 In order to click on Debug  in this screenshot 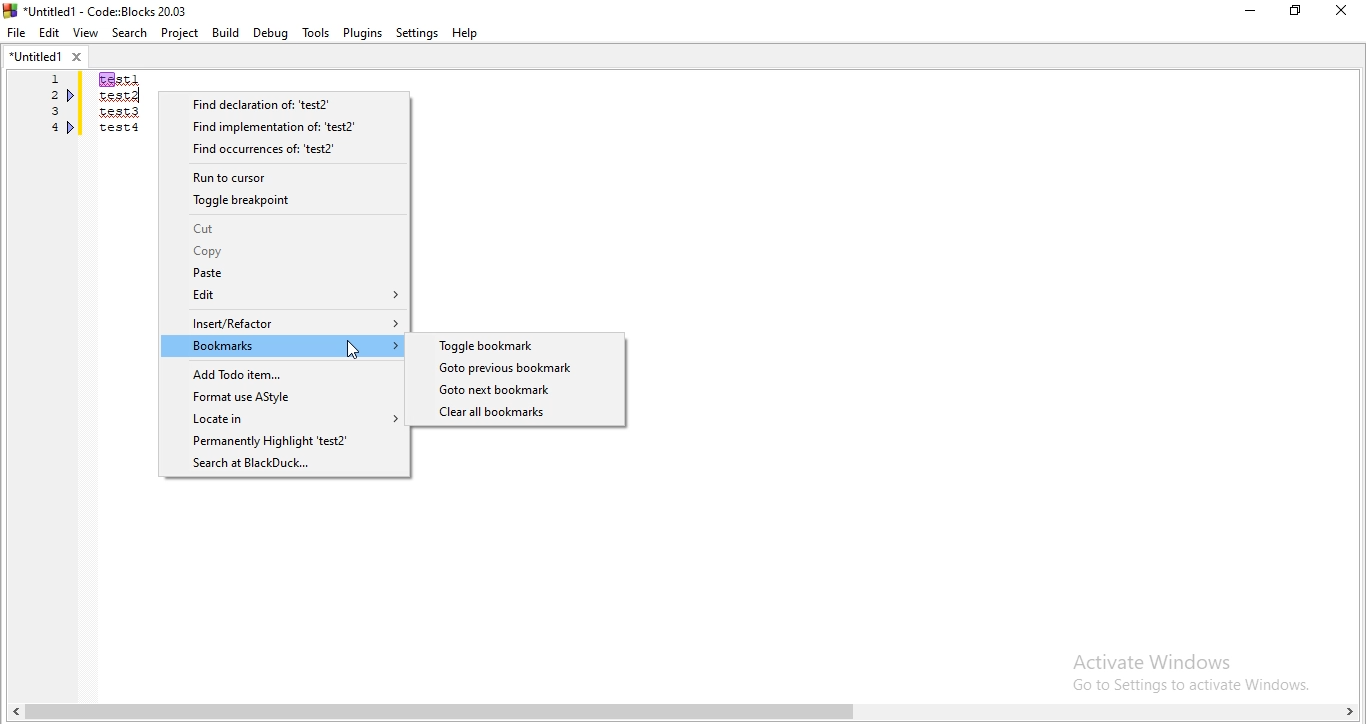, I will do `click(269, 31)`.